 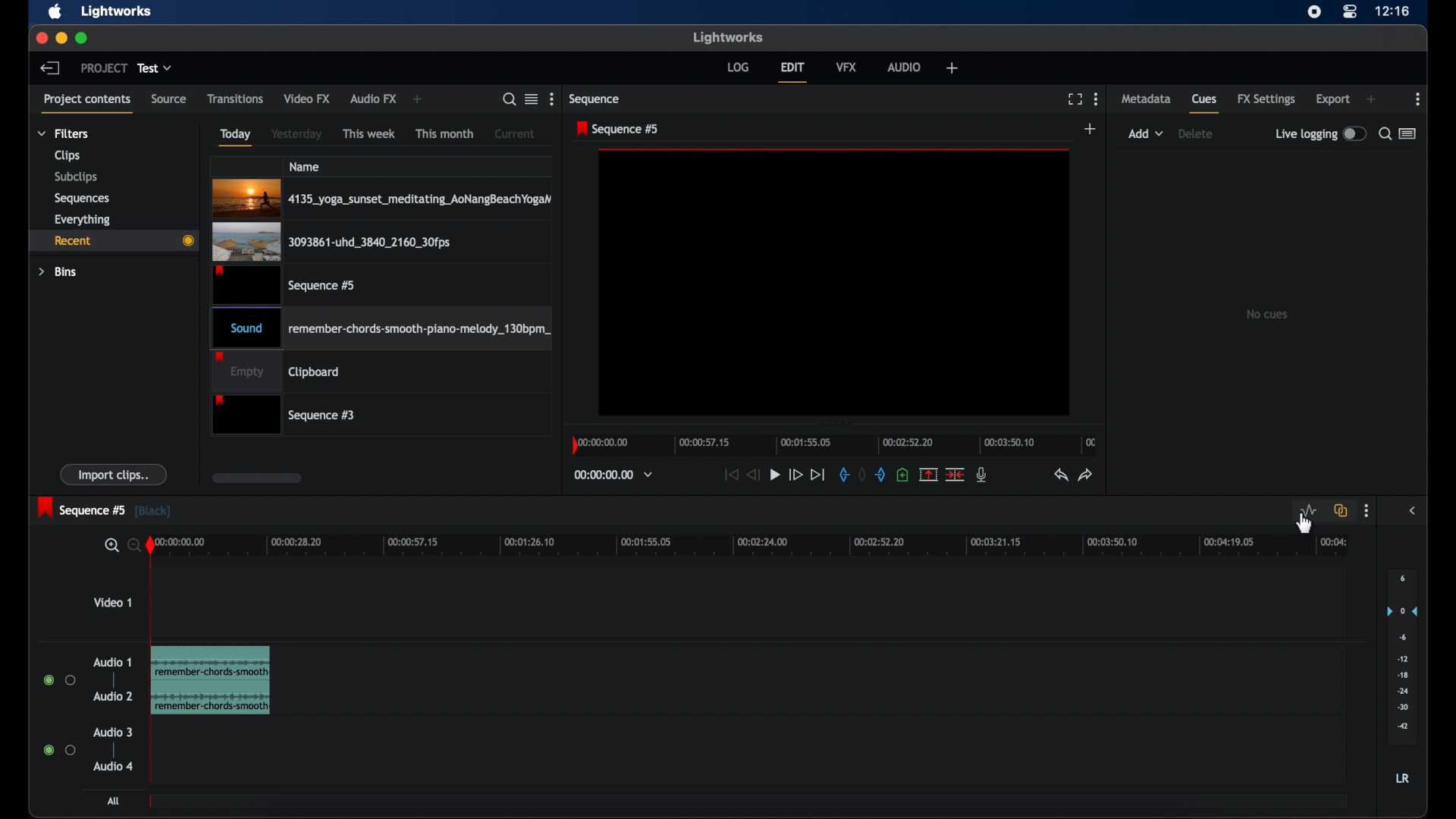 I want to click on this week, so click(x=370, y=133).